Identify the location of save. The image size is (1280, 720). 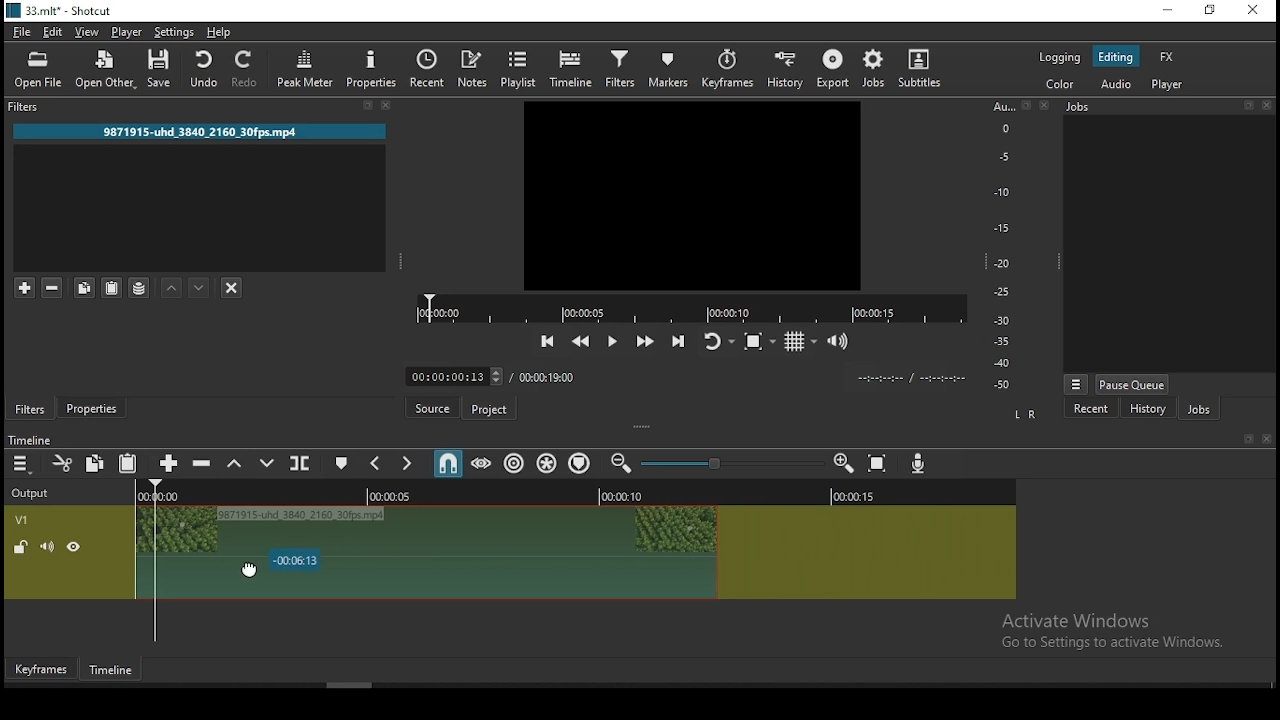
(164, 70).